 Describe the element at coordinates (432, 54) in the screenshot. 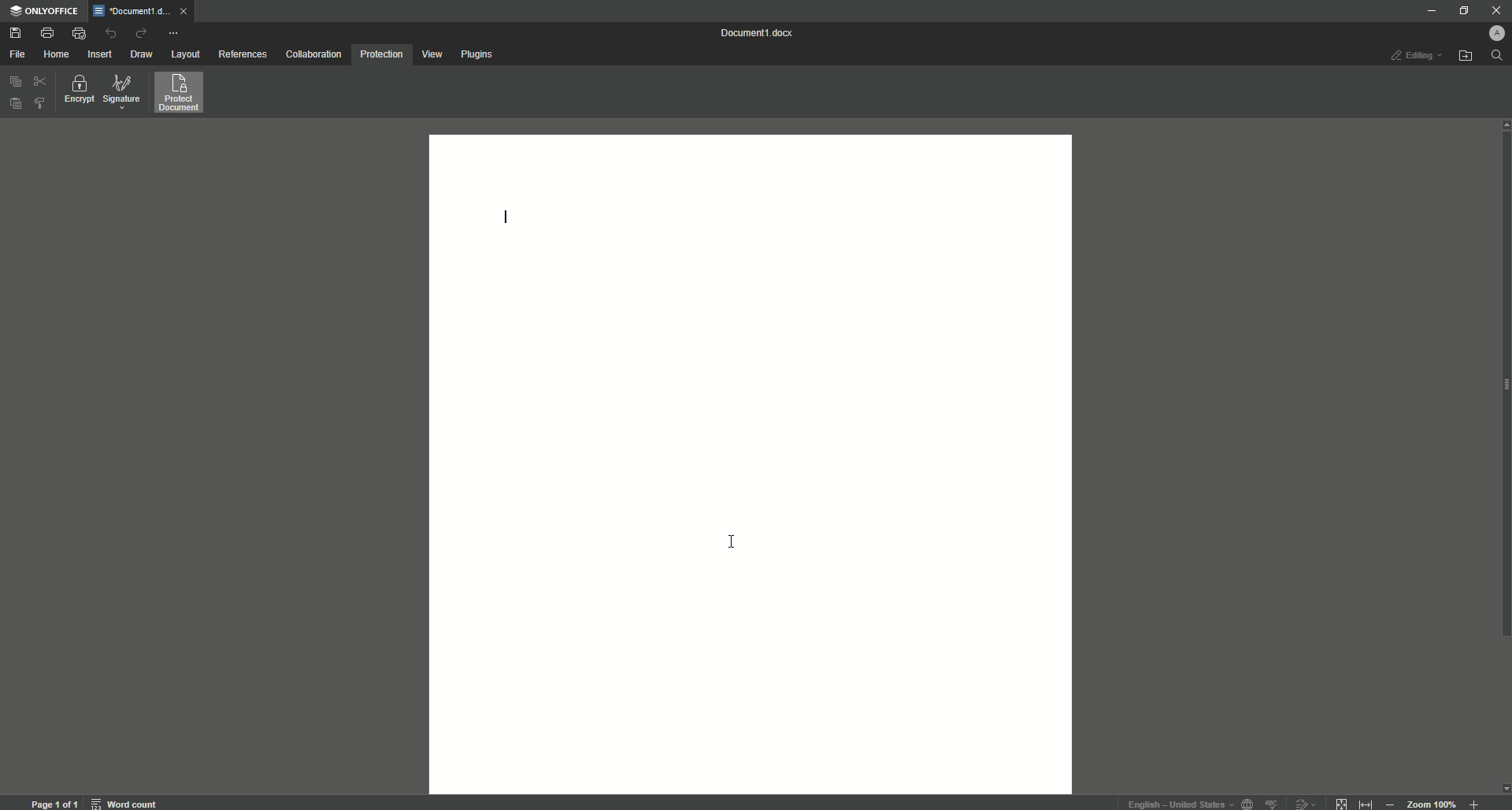

I see `View` at that location.